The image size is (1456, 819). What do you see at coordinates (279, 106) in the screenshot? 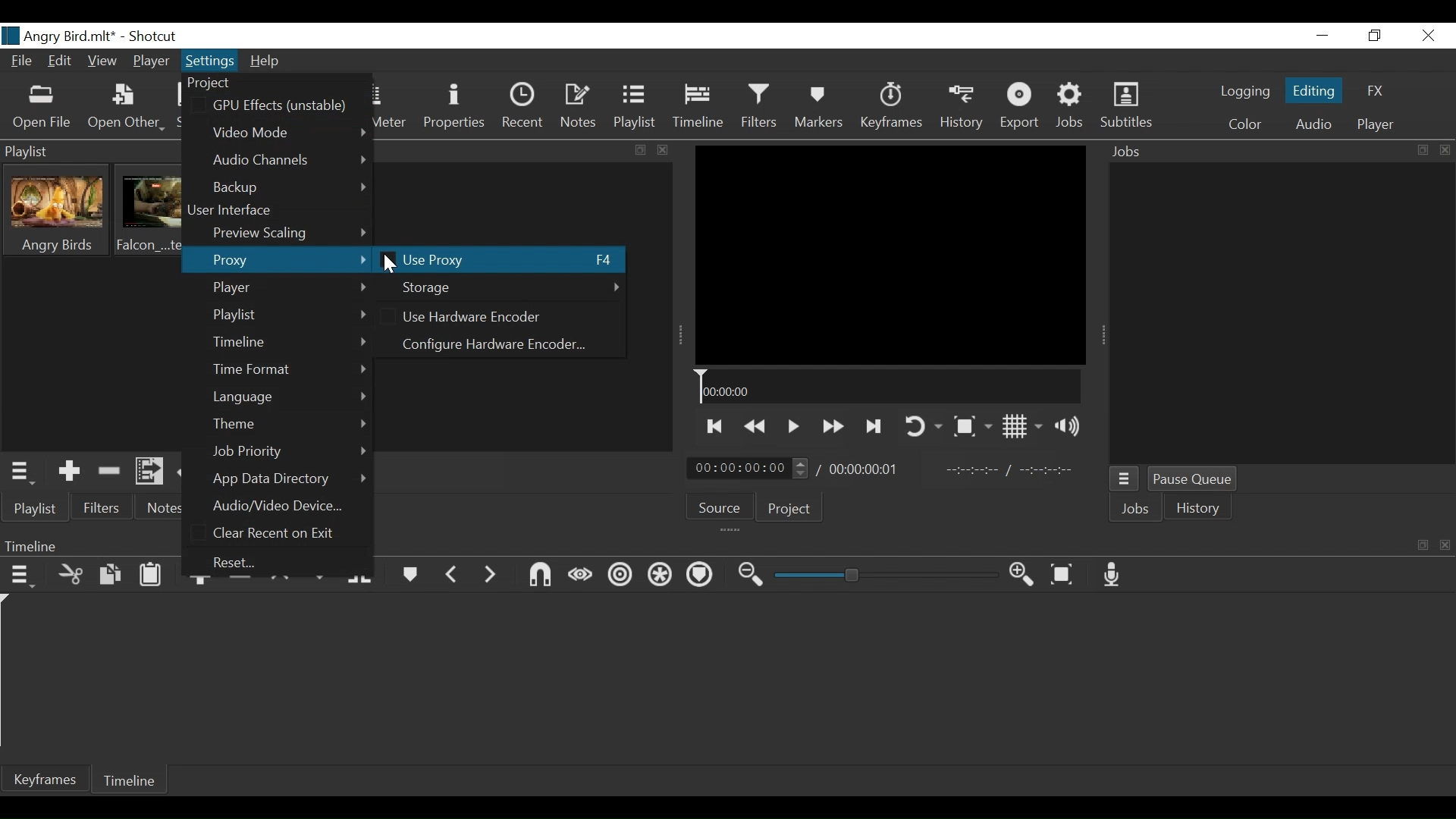
I see `GPU Effects` at bounding box center [279, 106].